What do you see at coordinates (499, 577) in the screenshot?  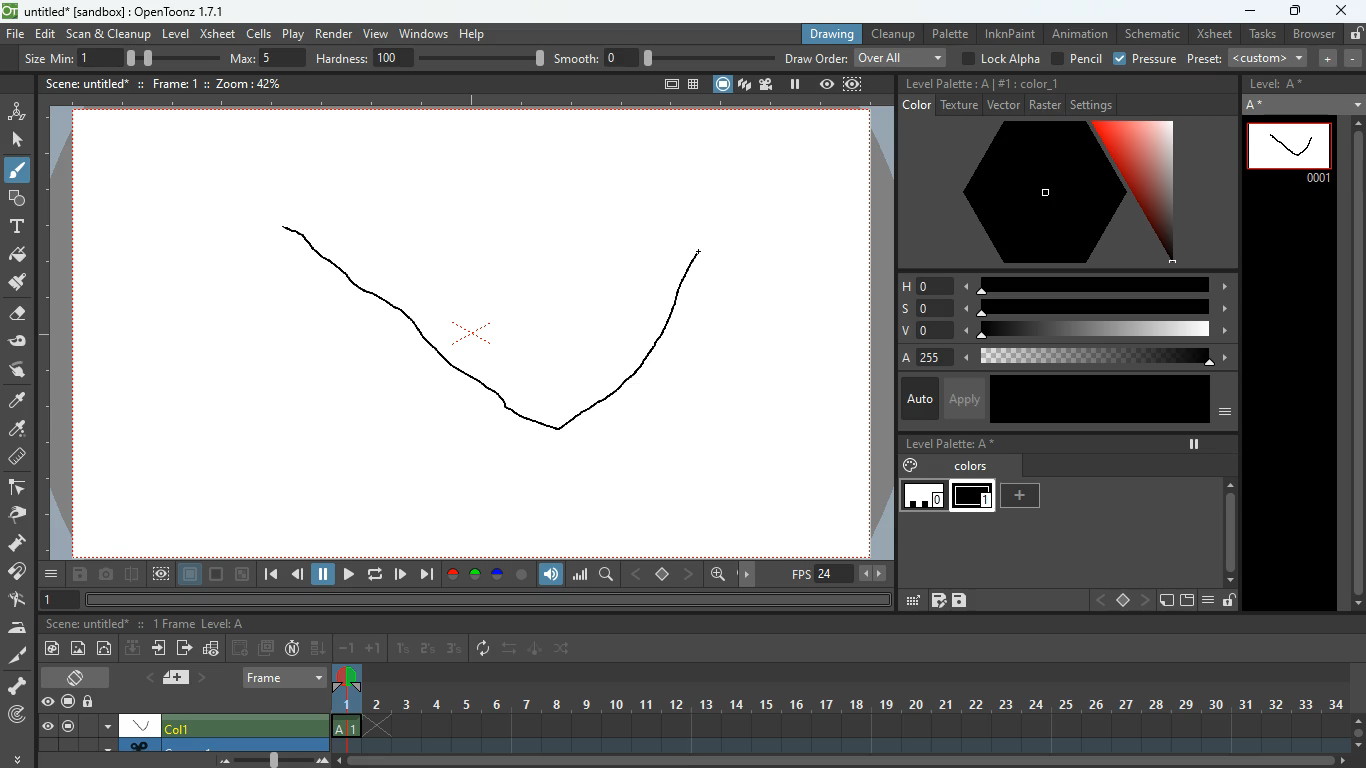 I see `blue` at bounding box center [499, 577].